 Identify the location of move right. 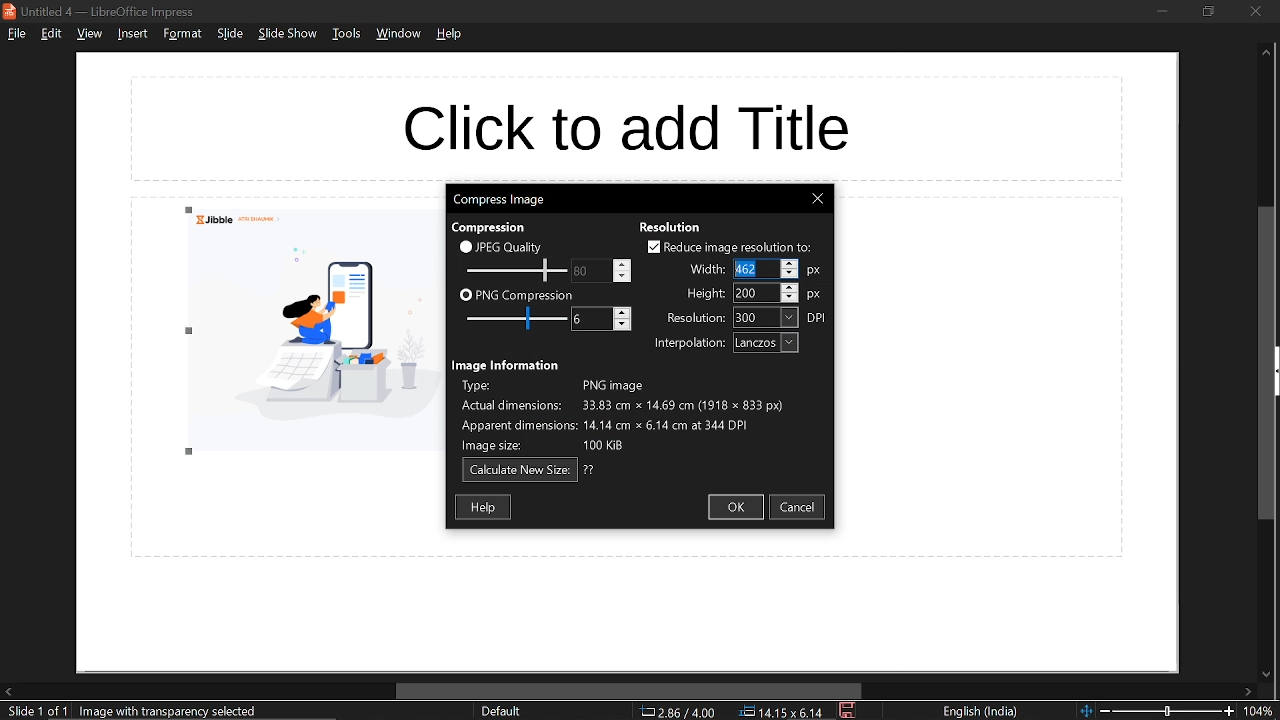
(1248, 693).